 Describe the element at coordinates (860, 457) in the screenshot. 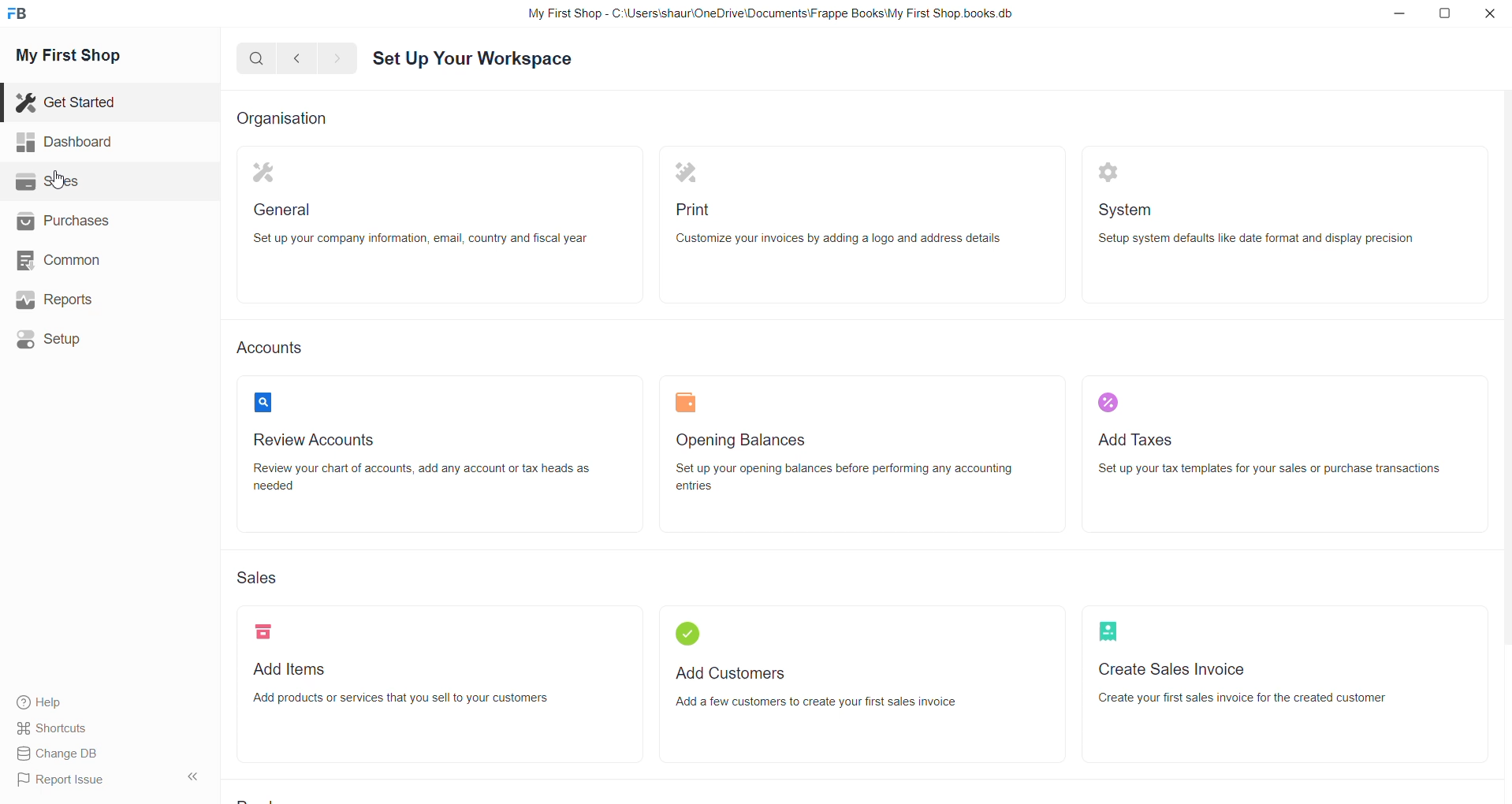

I see `Opening Books` at that location.